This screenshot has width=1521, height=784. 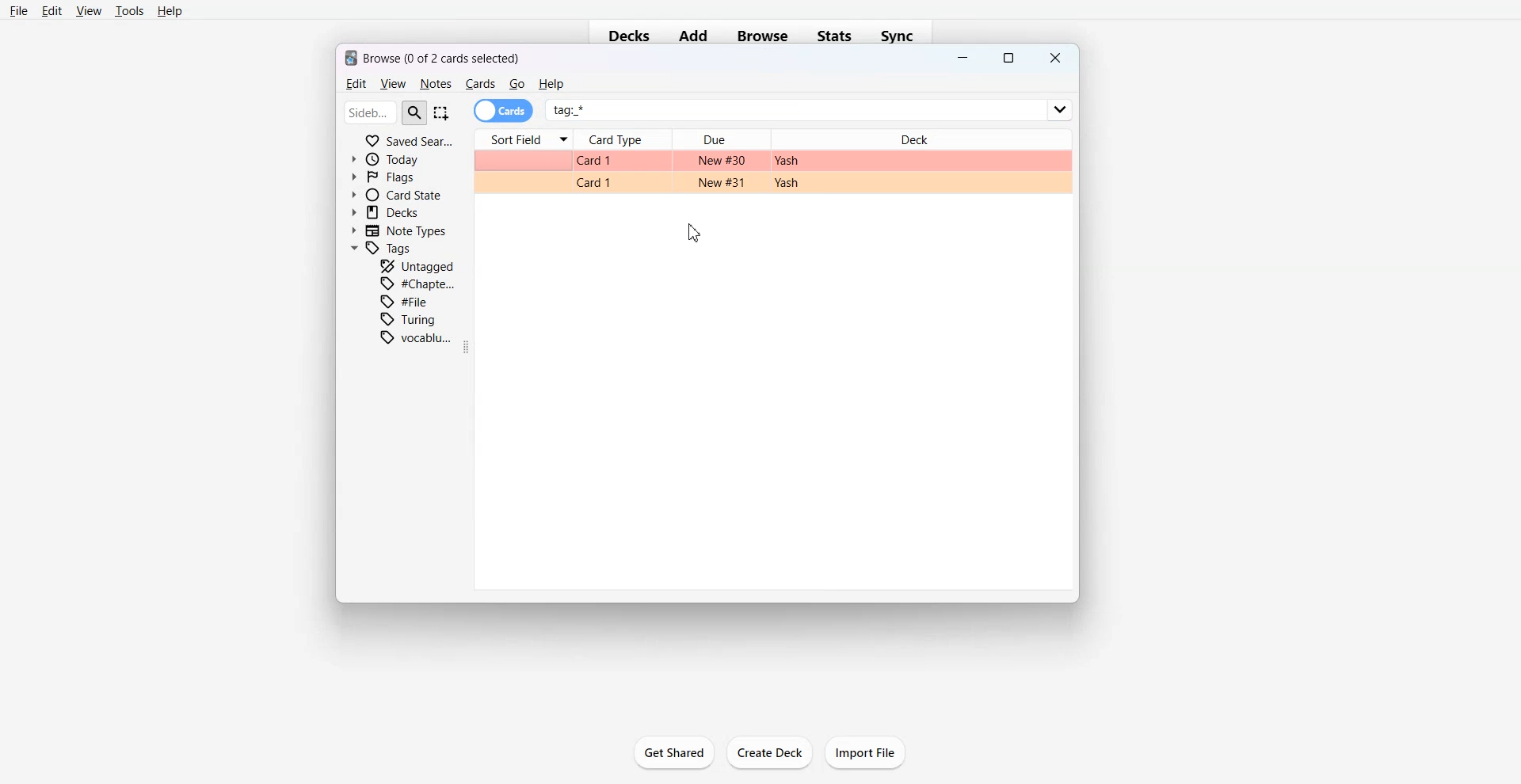 What do you see at coordinates (383, 249) in the screenshot?
I see `Tags` at bounding box center [383, 249].